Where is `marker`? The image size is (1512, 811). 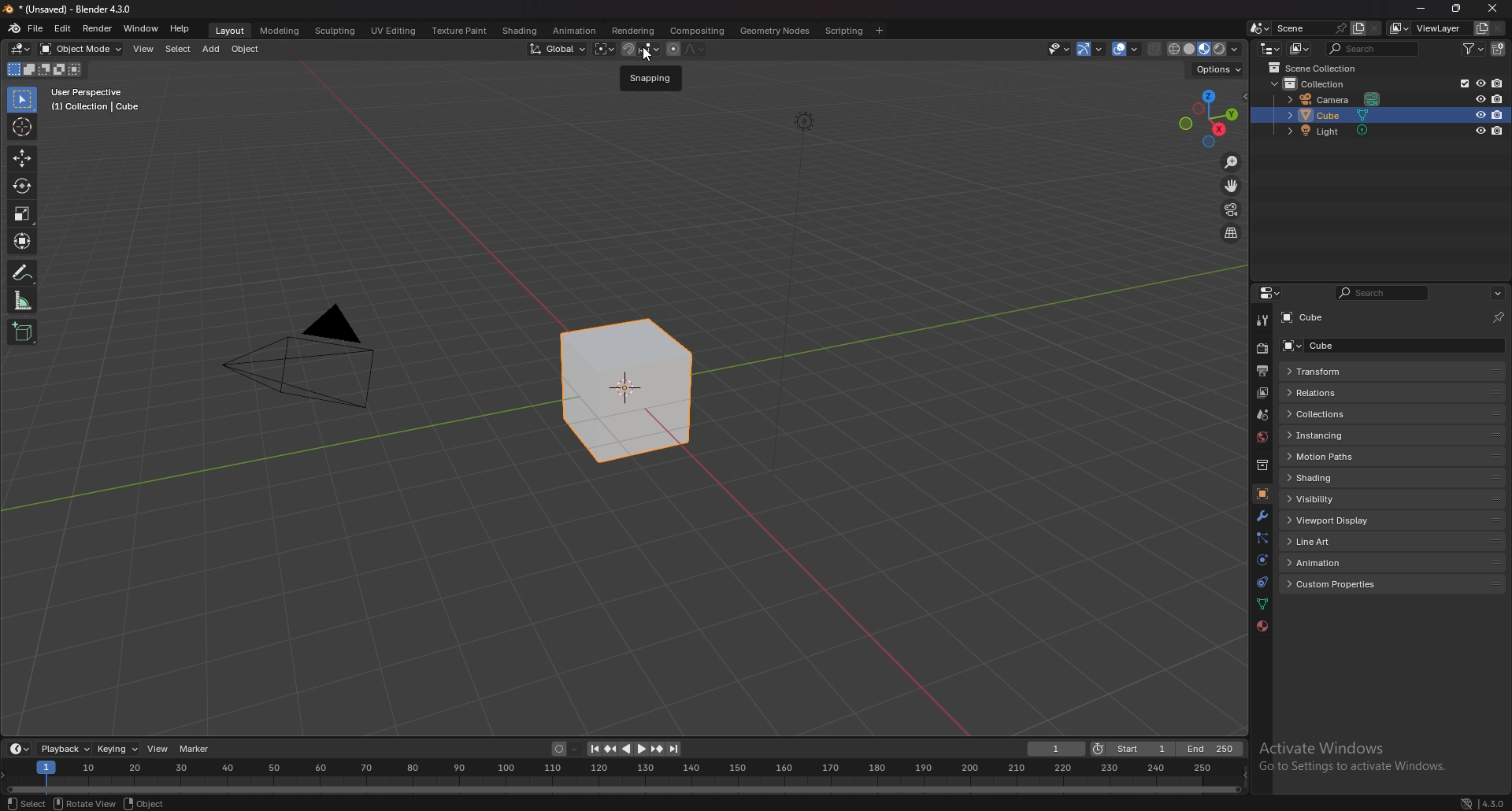 marker is located at coordinates (198, 750).